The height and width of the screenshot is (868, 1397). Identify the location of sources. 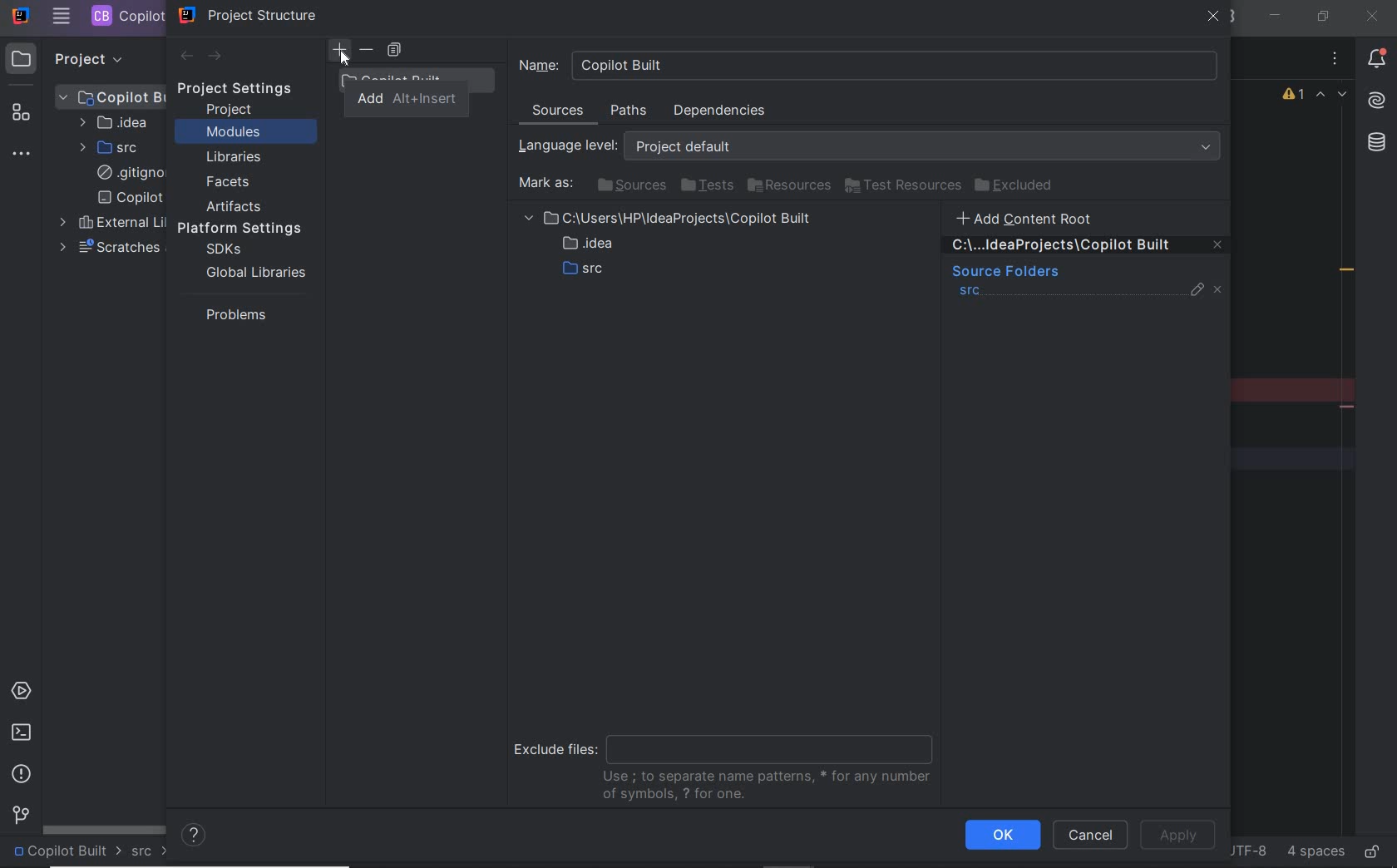
(560, 113).